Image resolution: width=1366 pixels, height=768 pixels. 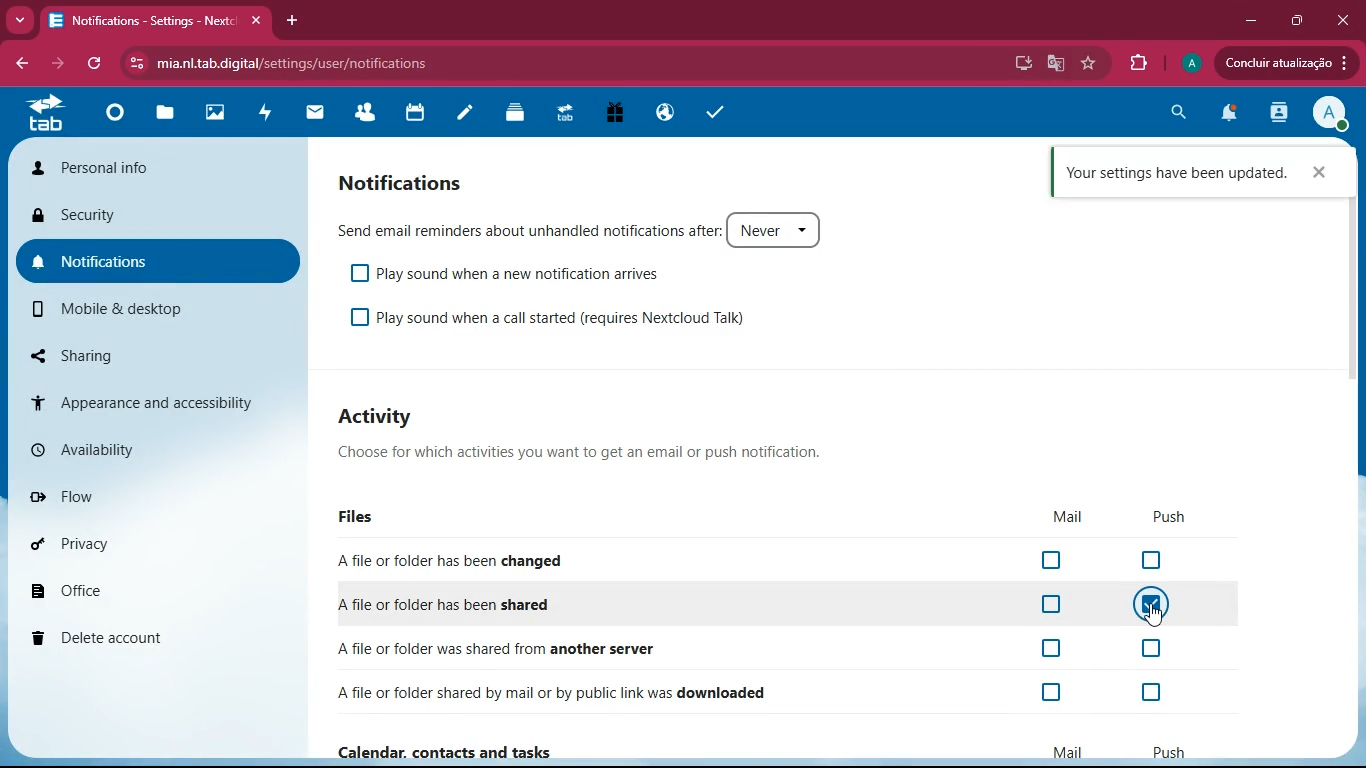 I want to click on close, so click(x=1322, y=177).